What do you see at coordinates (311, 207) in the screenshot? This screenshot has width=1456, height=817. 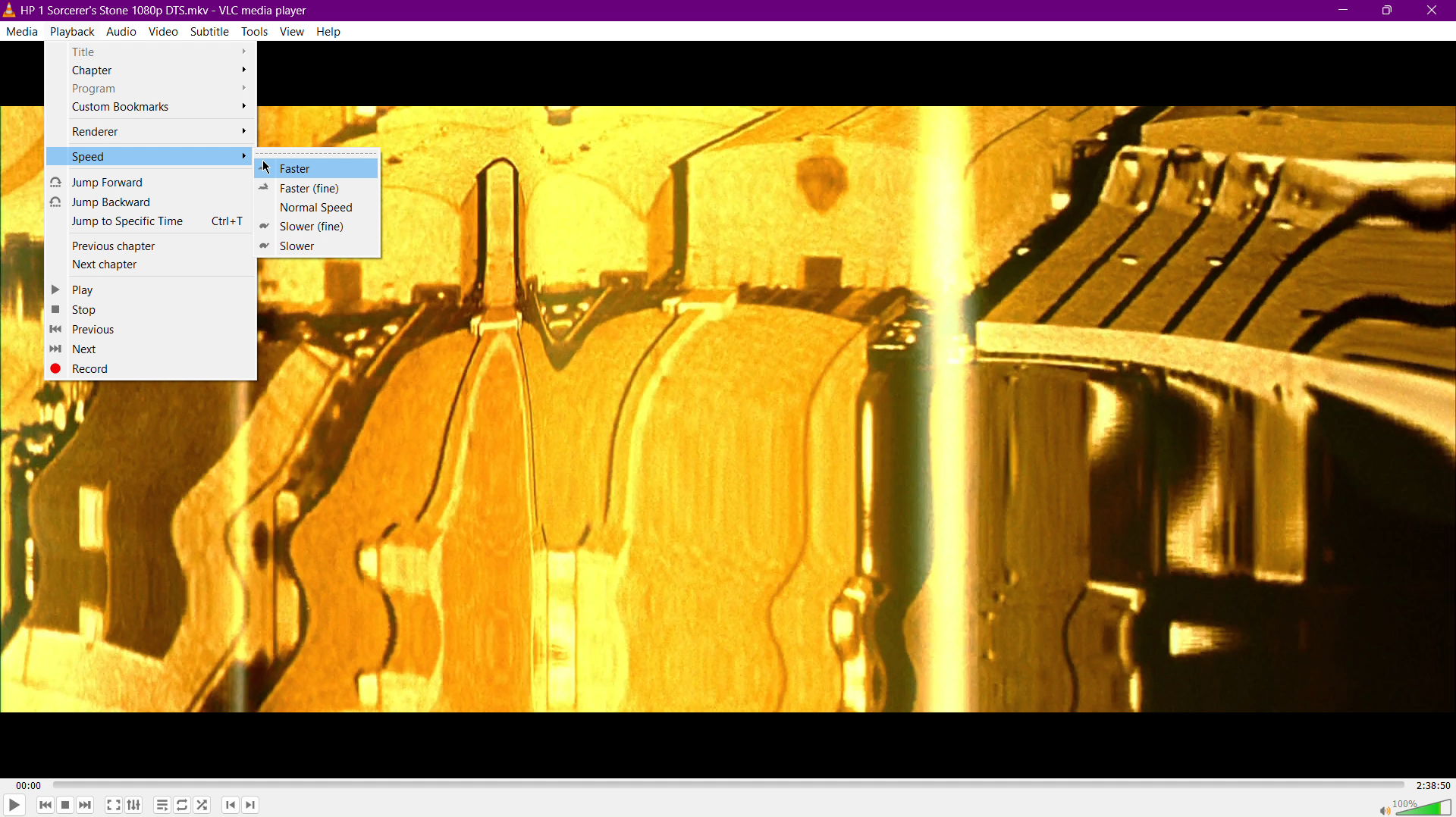 I see `Normal Speed` at bounding box center [311, 207].